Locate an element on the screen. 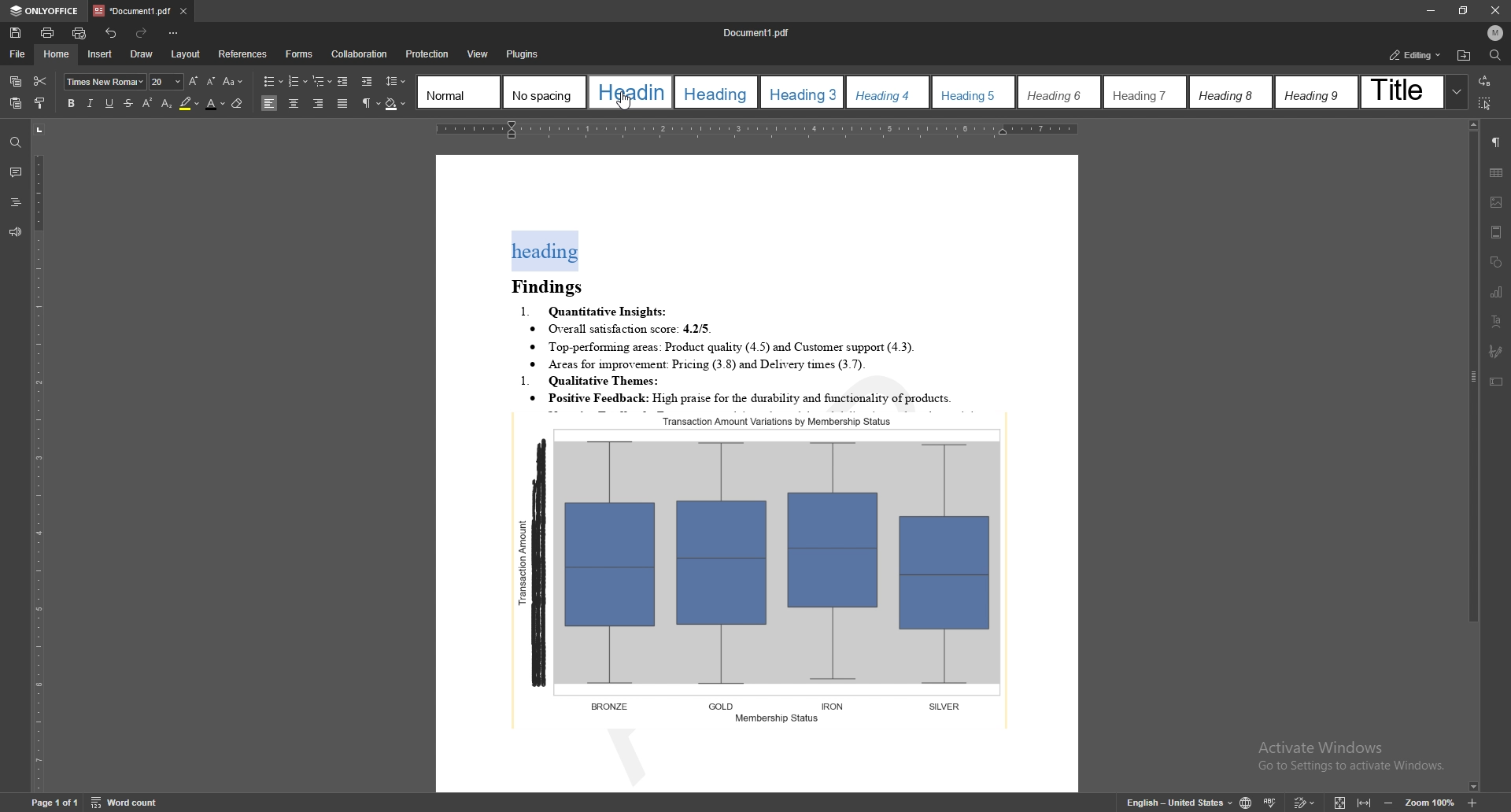 The height and width of the screenshot is (812, 1511). superscript is located at coordinates (148, 102).